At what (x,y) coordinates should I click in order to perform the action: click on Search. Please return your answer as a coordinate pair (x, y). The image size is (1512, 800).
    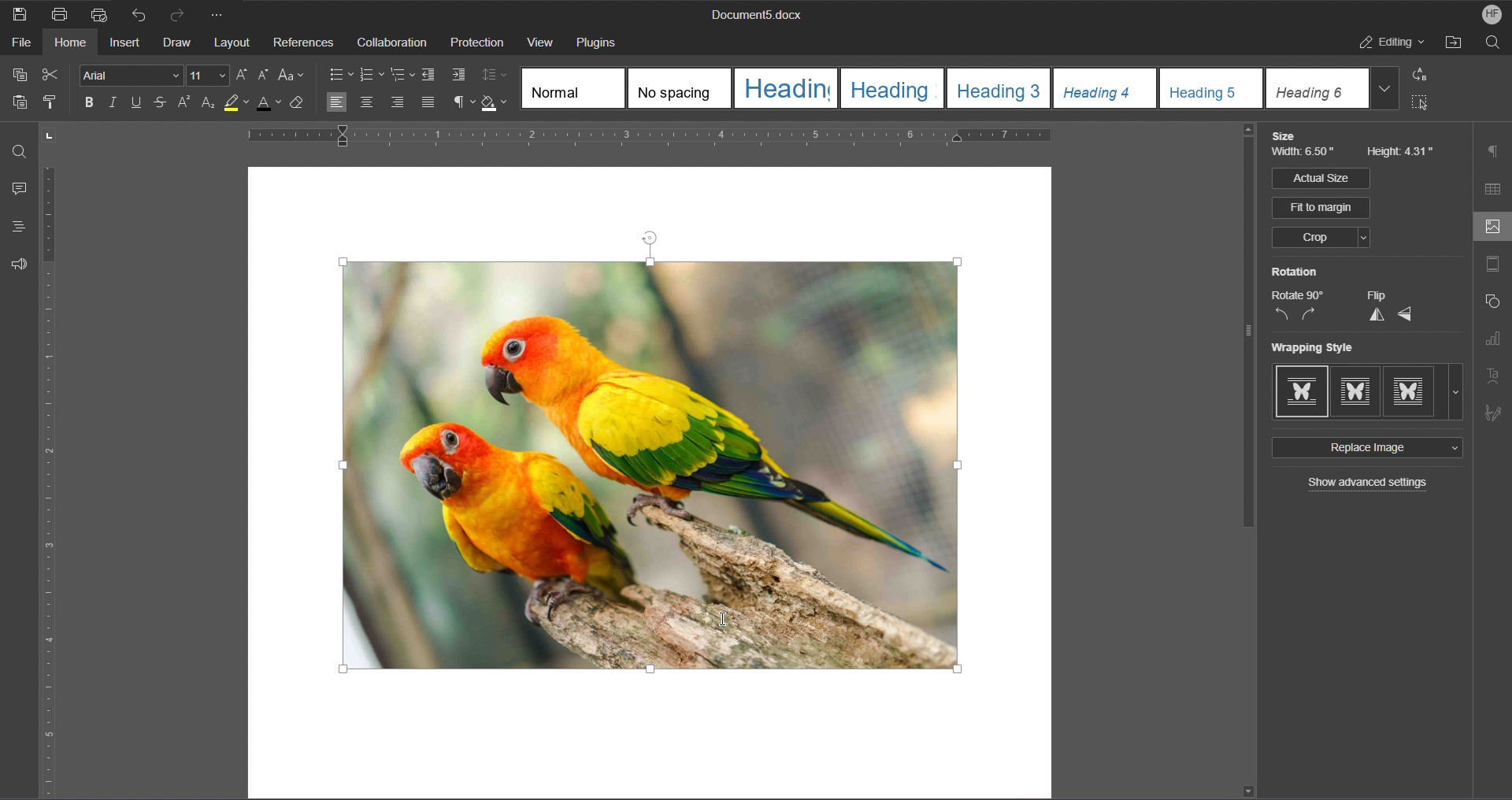
    Looking at the image, I should click on (1493, 45).